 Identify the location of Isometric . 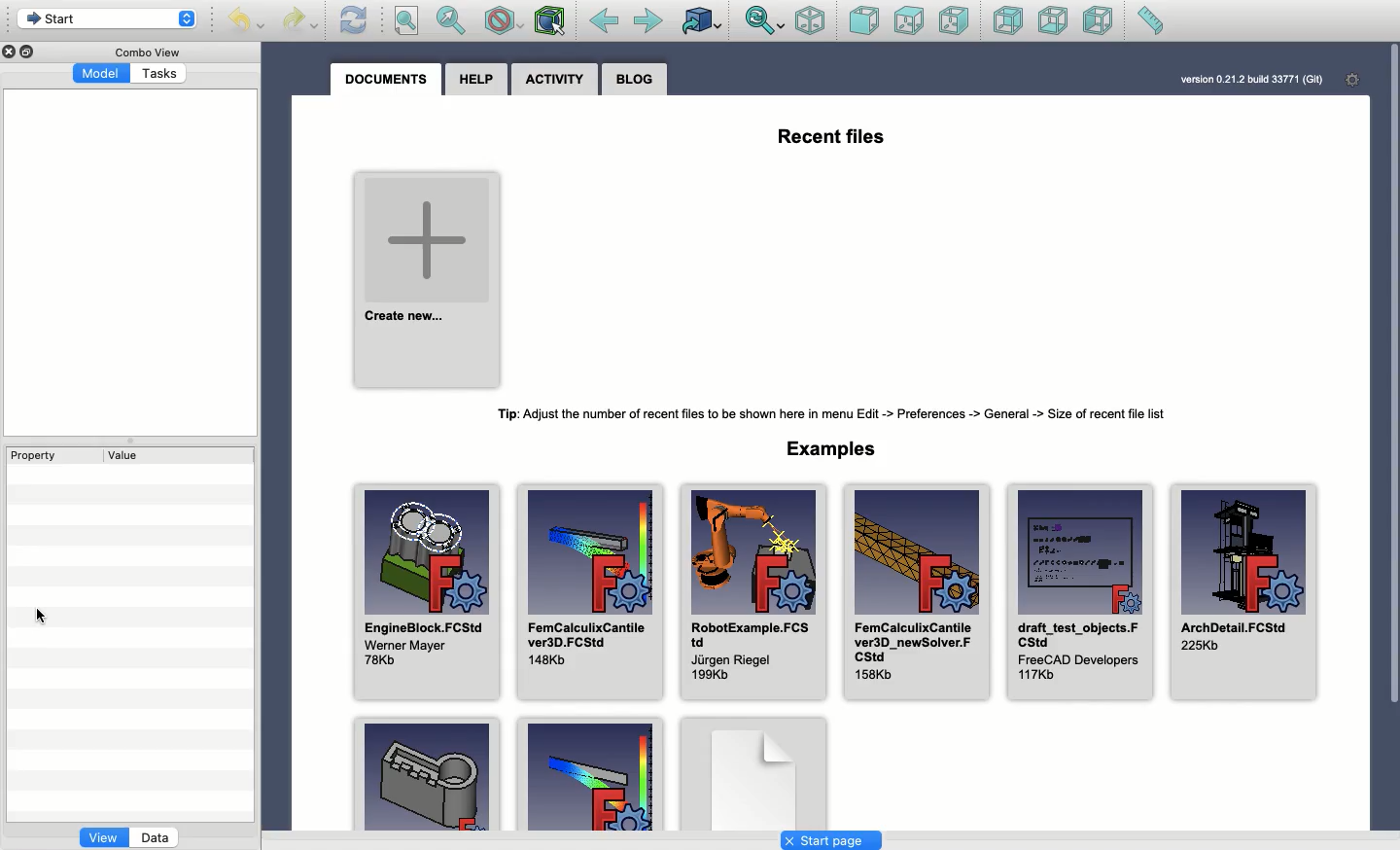
(814, 20).